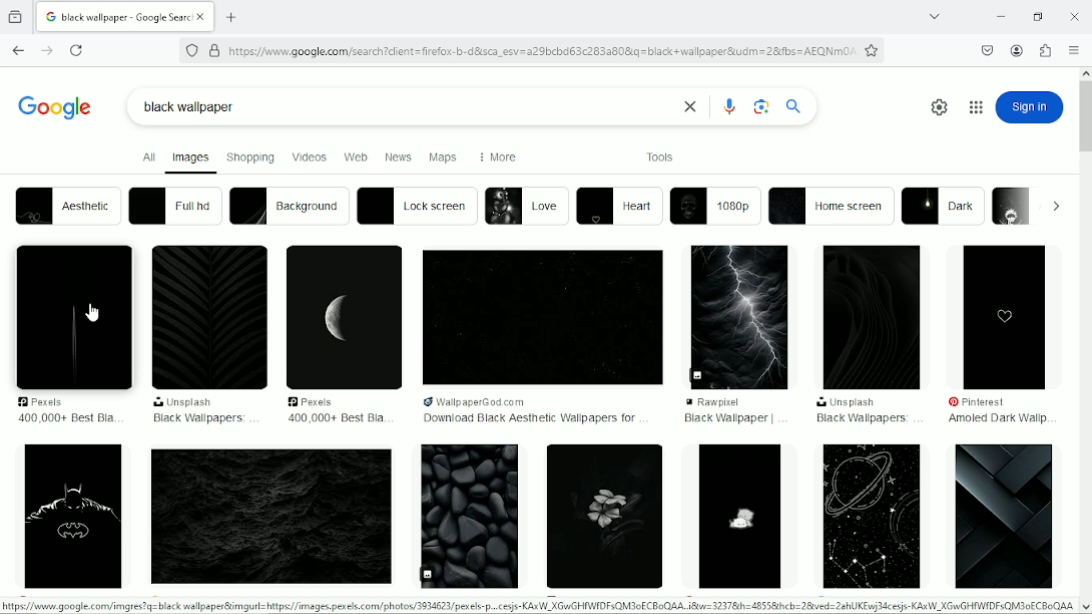  I want to click on pexels, so click(316, 401).